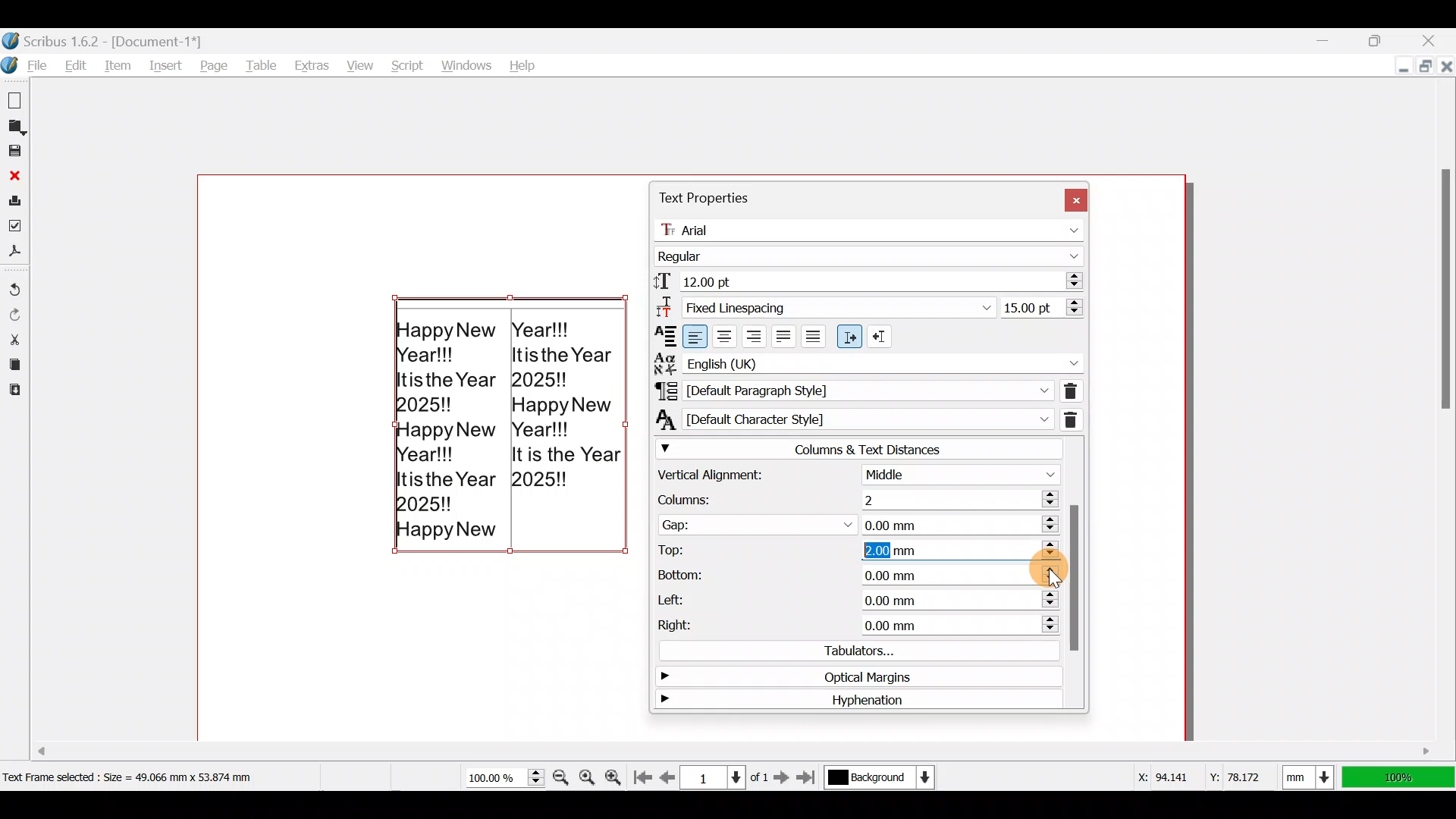 The height and width of the screenshot is (819, 1456). What do you see at coordinates (1401, 777) in the screenshot?
I see `100% zoom ratio` at bounding box center [1401, 777].